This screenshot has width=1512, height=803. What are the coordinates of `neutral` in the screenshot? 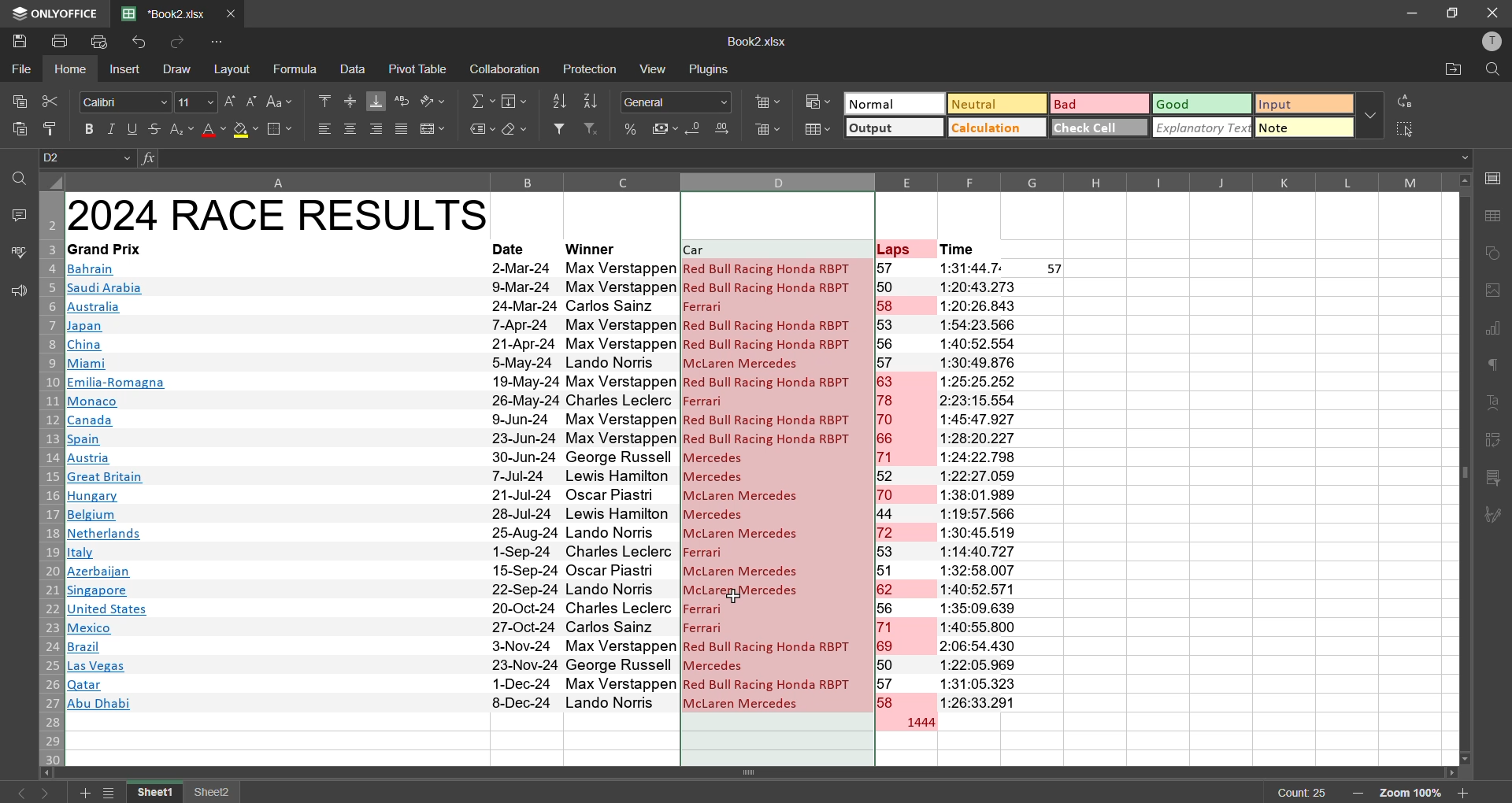 It's located at (993, 103).